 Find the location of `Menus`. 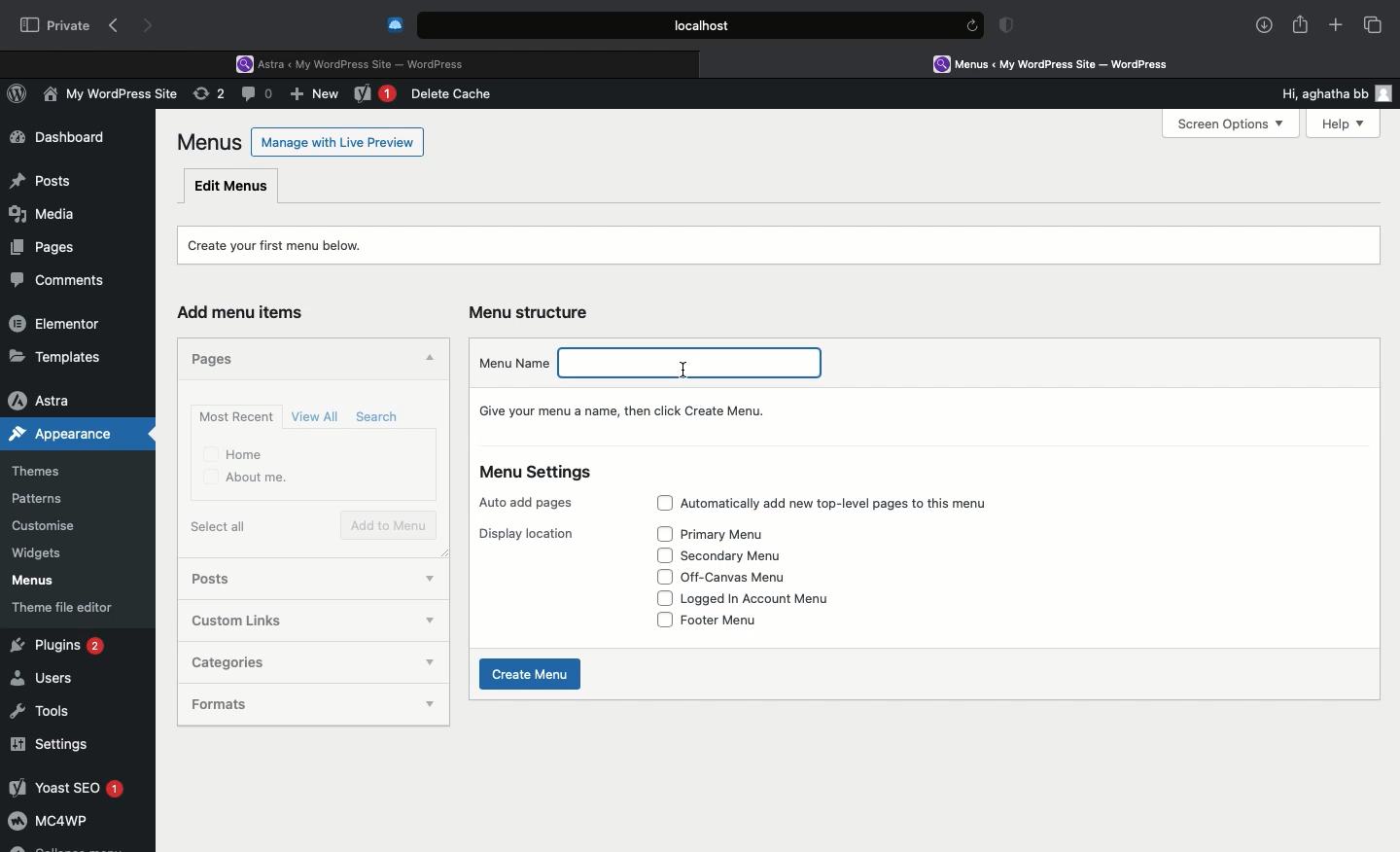

Menus is located at coordinates (30, 581).